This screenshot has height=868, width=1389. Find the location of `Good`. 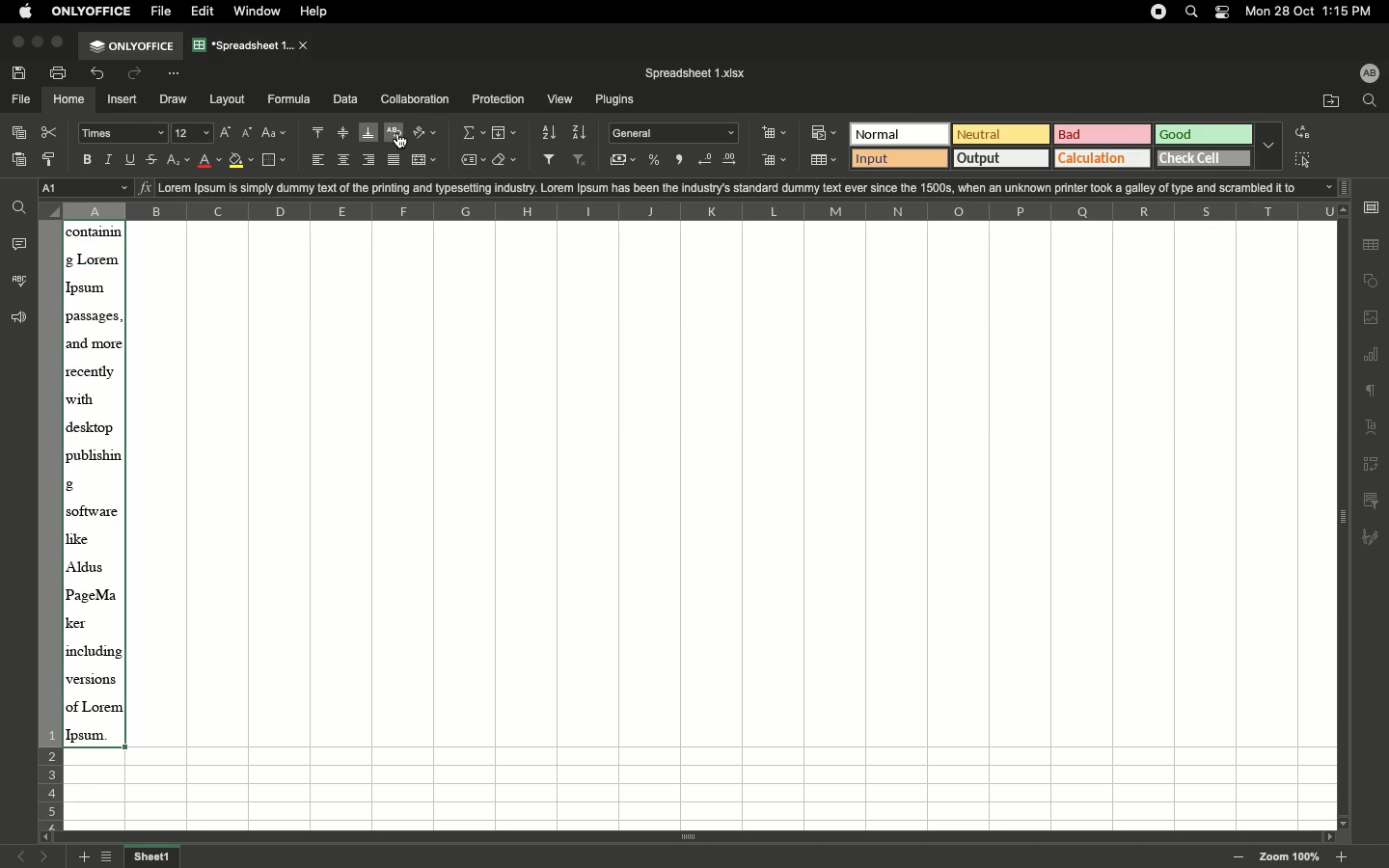

Good is located at coordinates (1206, 135).